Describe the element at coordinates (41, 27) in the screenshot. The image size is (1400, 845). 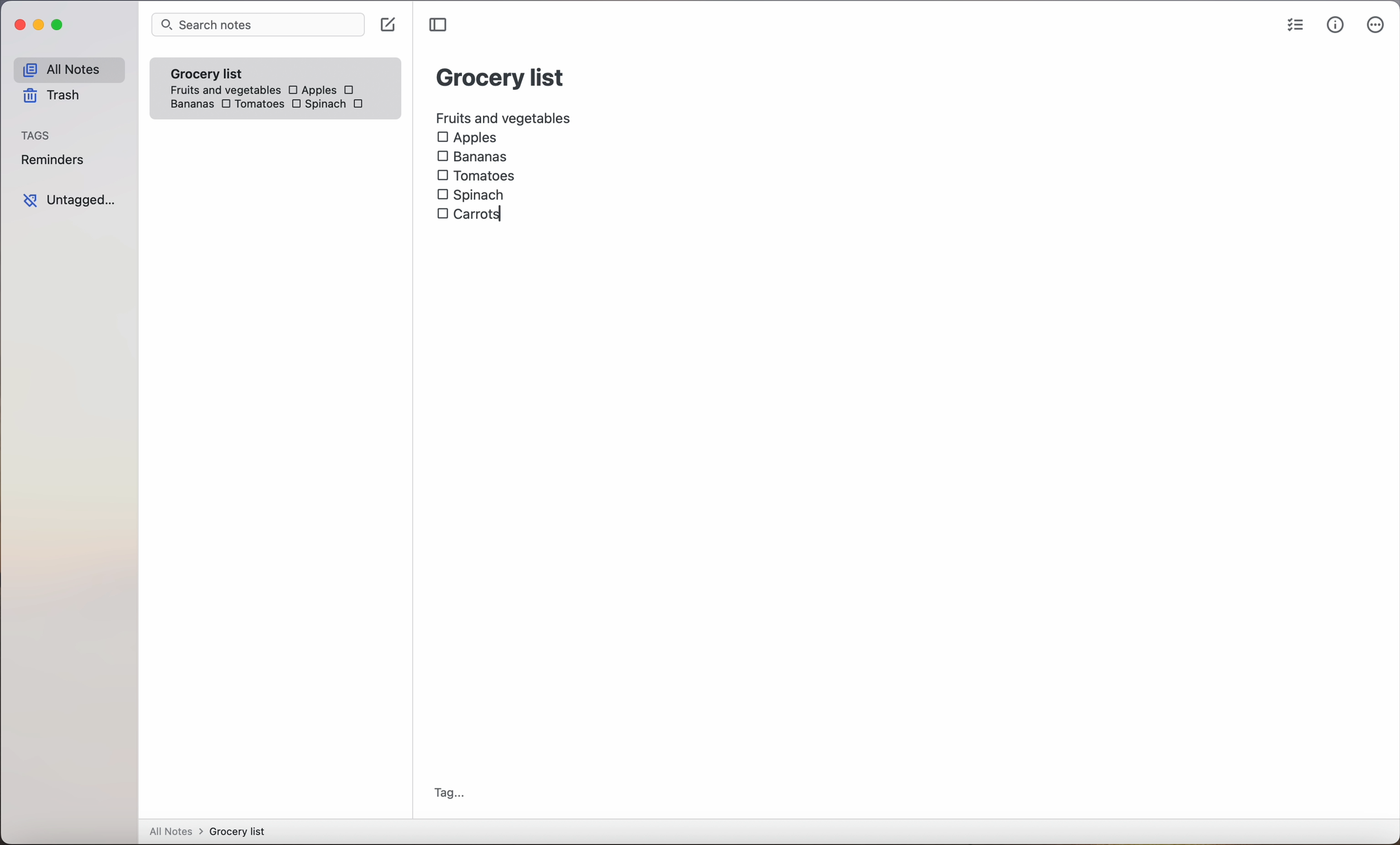
I see `minimize Simplenote` at that location.